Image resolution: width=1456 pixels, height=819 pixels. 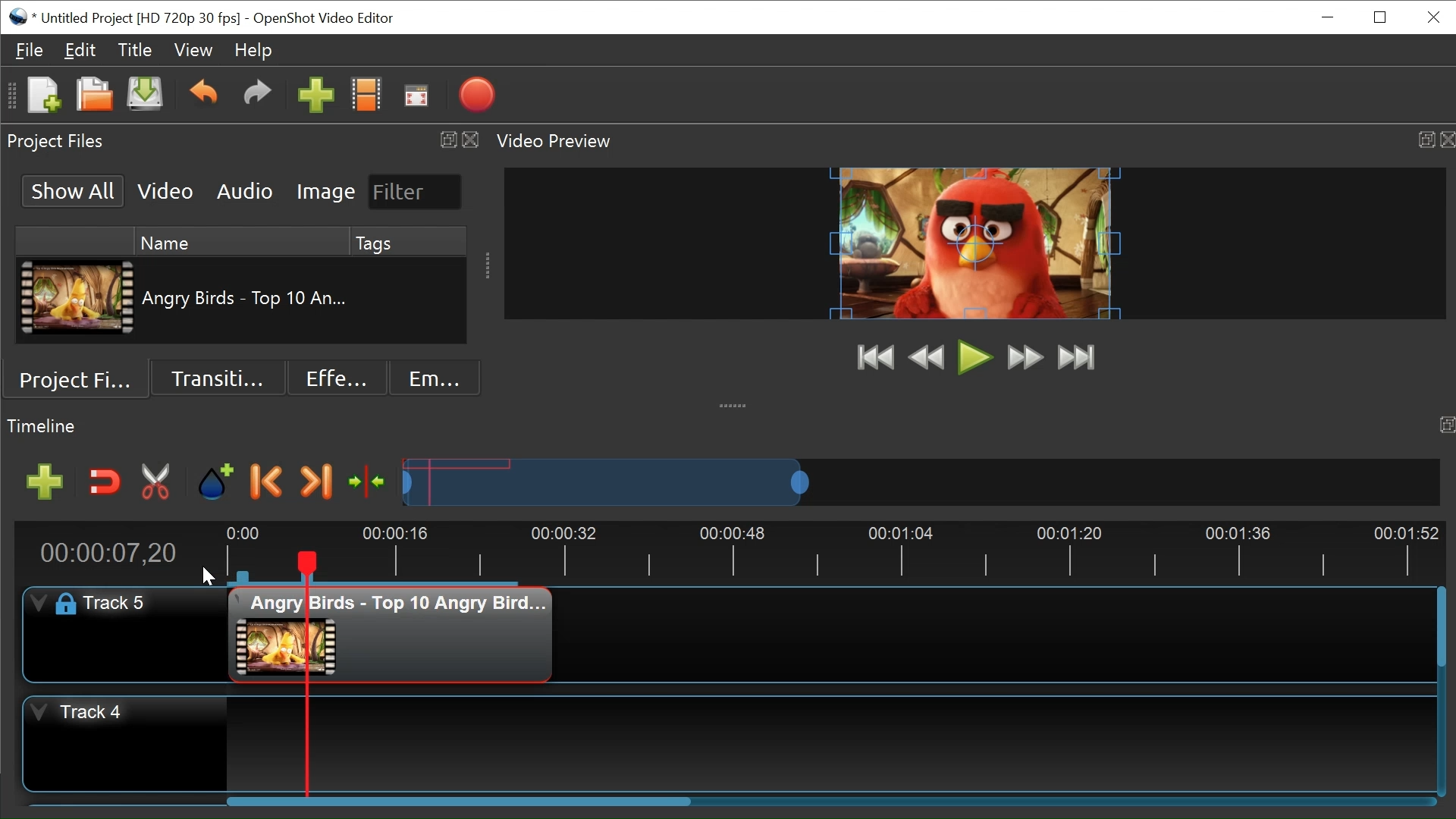 I want to click on Filter, so click(x=410, y=191).